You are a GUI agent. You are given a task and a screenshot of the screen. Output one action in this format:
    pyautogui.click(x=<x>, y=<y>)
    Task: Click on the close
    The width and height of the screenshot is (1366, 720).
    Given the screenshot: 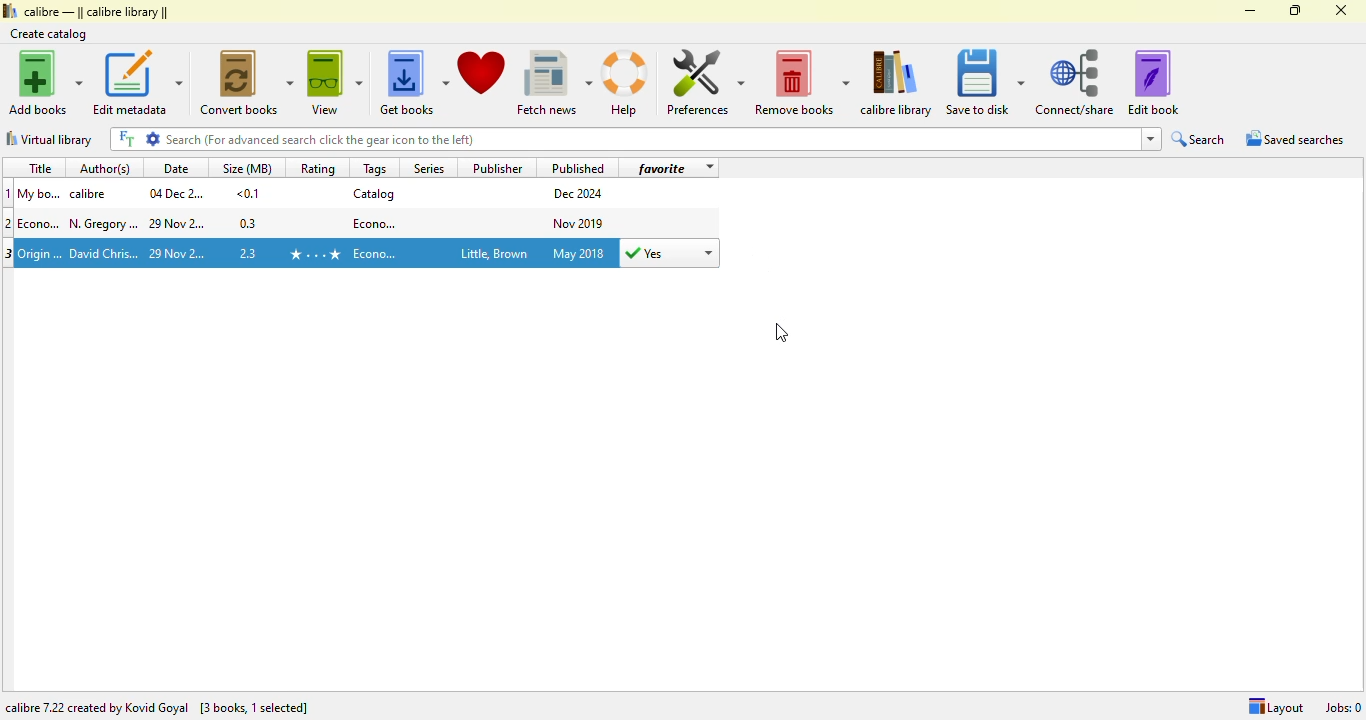 What is the action you would take?
    pyautogui.click(x=1340, y=10)
    